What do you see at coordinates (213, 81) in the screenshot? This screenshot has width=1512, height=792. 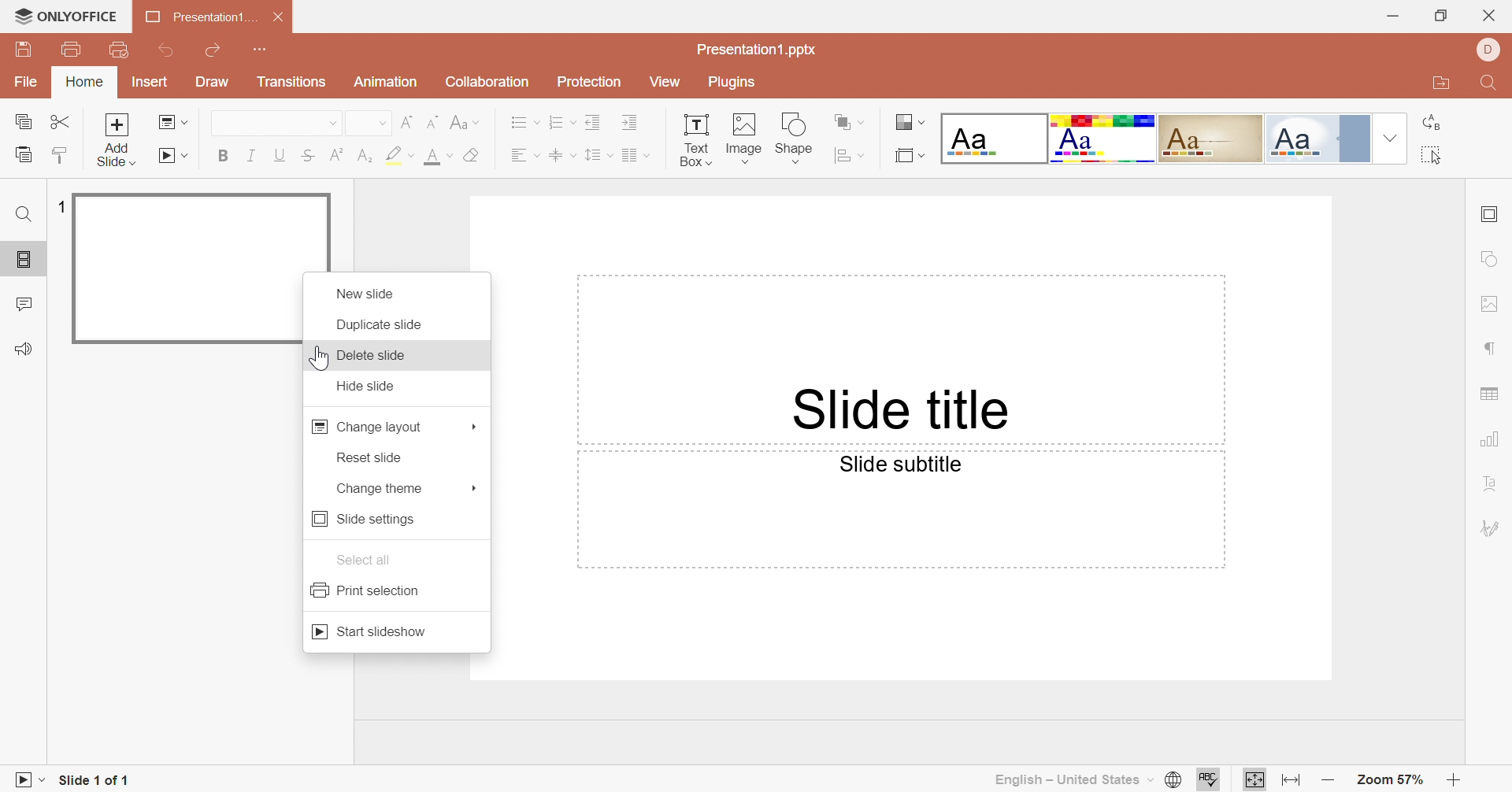 I see `Draw` at bounding box center [213, 81].